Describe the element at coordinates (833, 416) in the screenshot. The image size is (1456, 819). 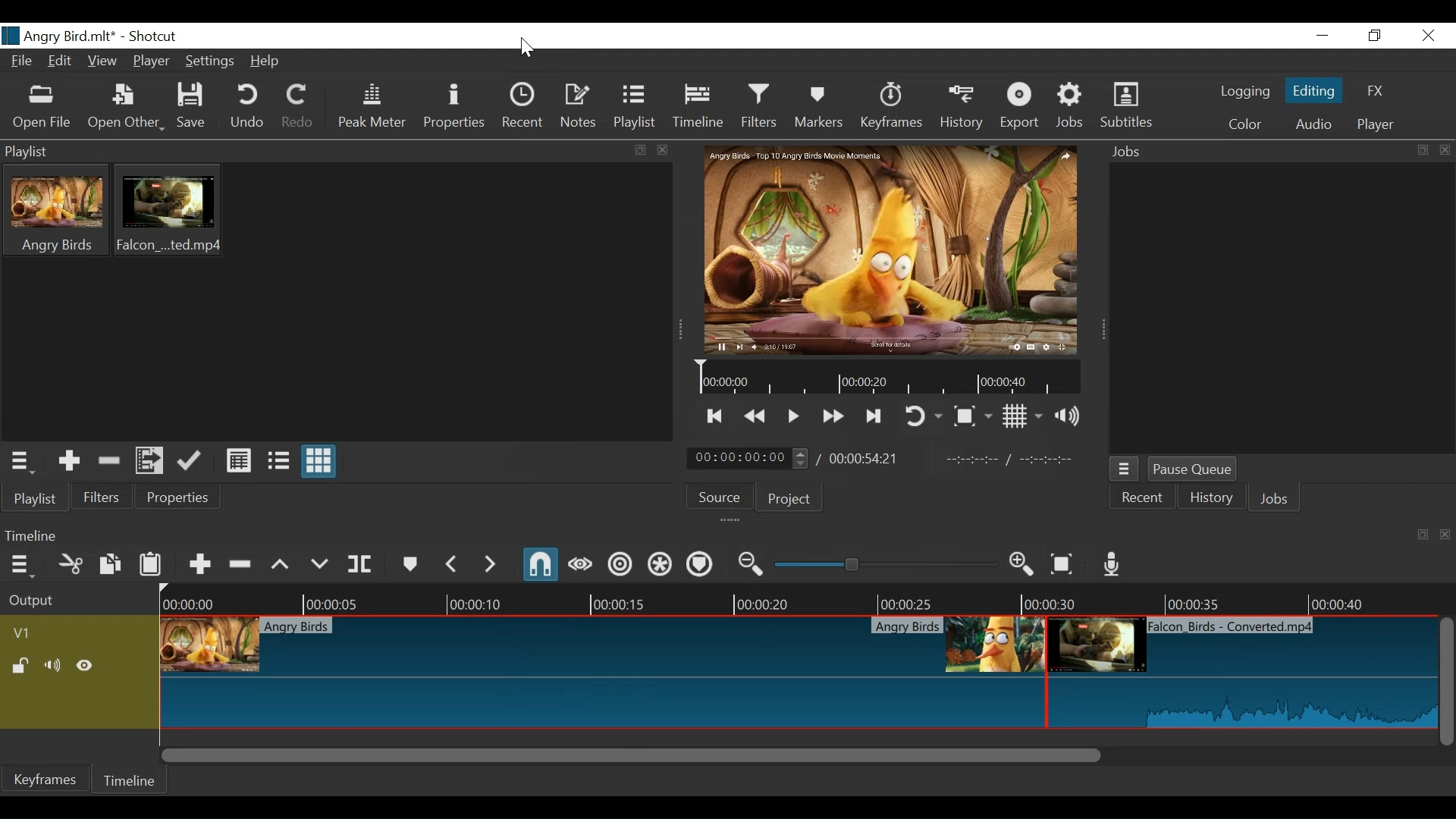
I see `Play forward quickly` at that location.